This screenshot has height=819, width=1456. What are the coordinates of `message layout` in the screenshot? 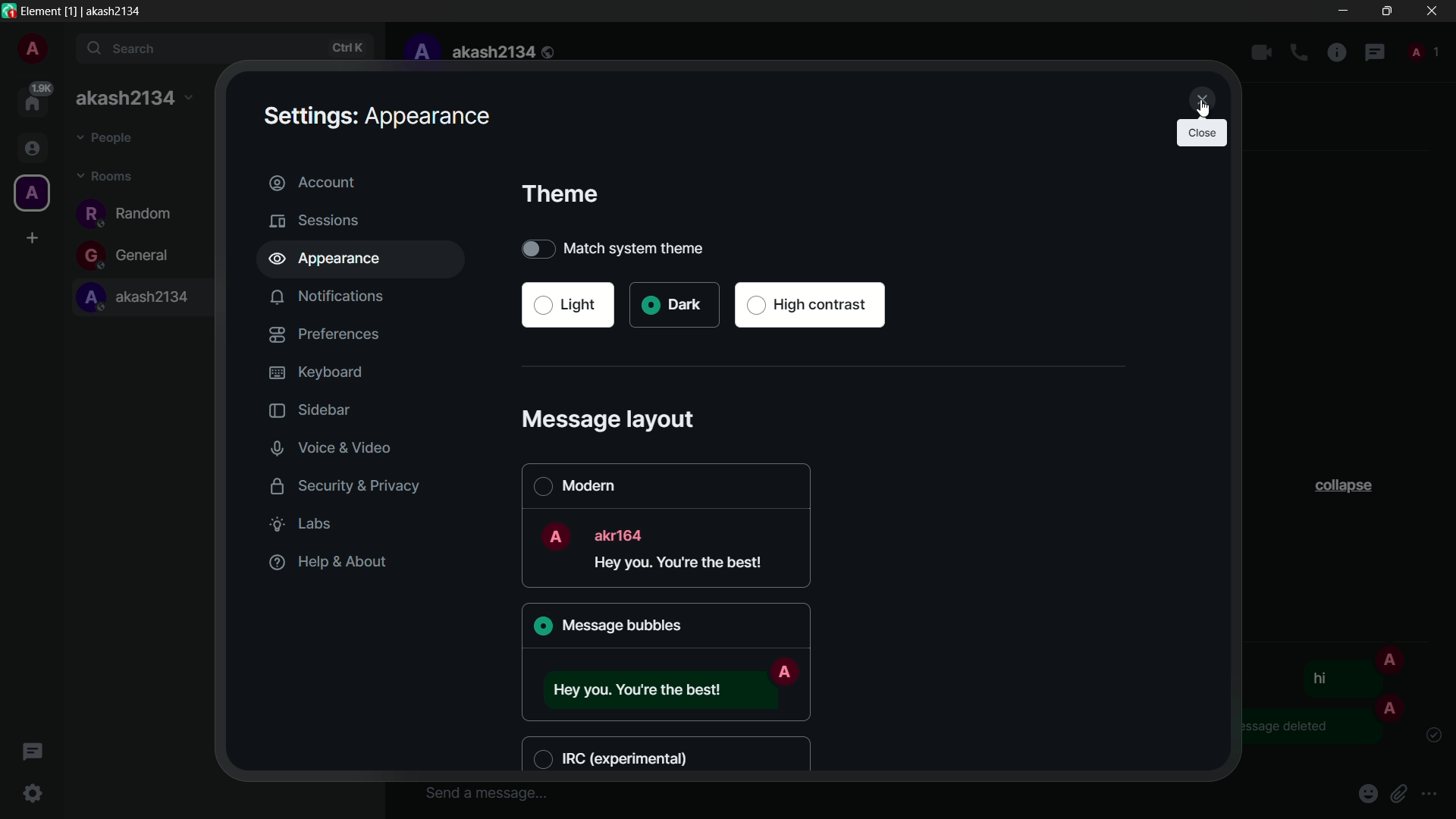 It's located at (611, 419).